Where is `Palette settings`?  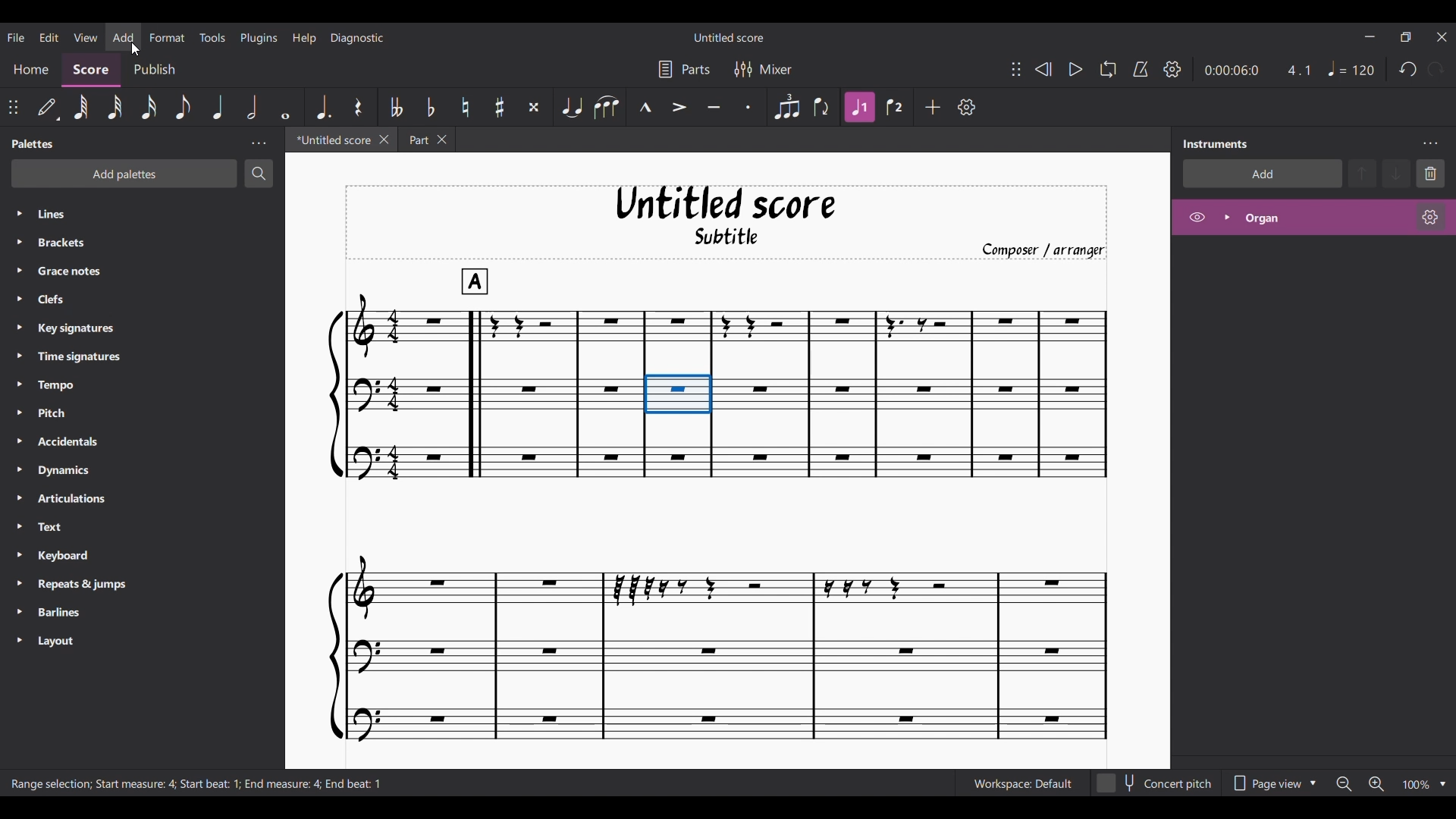
Palette settings is located at coordinates (258, 143).